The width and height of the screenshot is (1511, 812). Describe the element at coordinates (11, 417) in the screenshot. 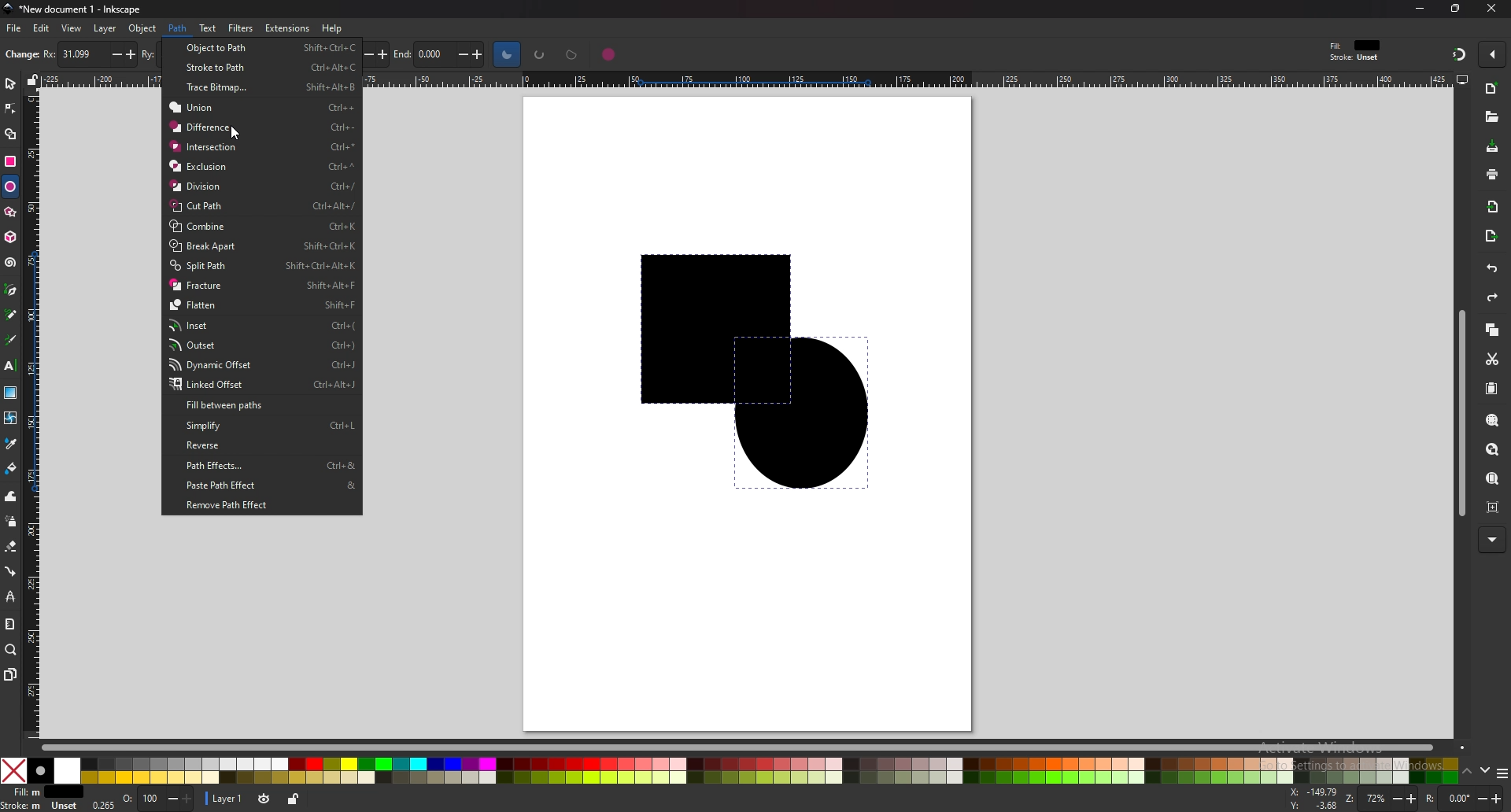

I see `mesh` at that location.